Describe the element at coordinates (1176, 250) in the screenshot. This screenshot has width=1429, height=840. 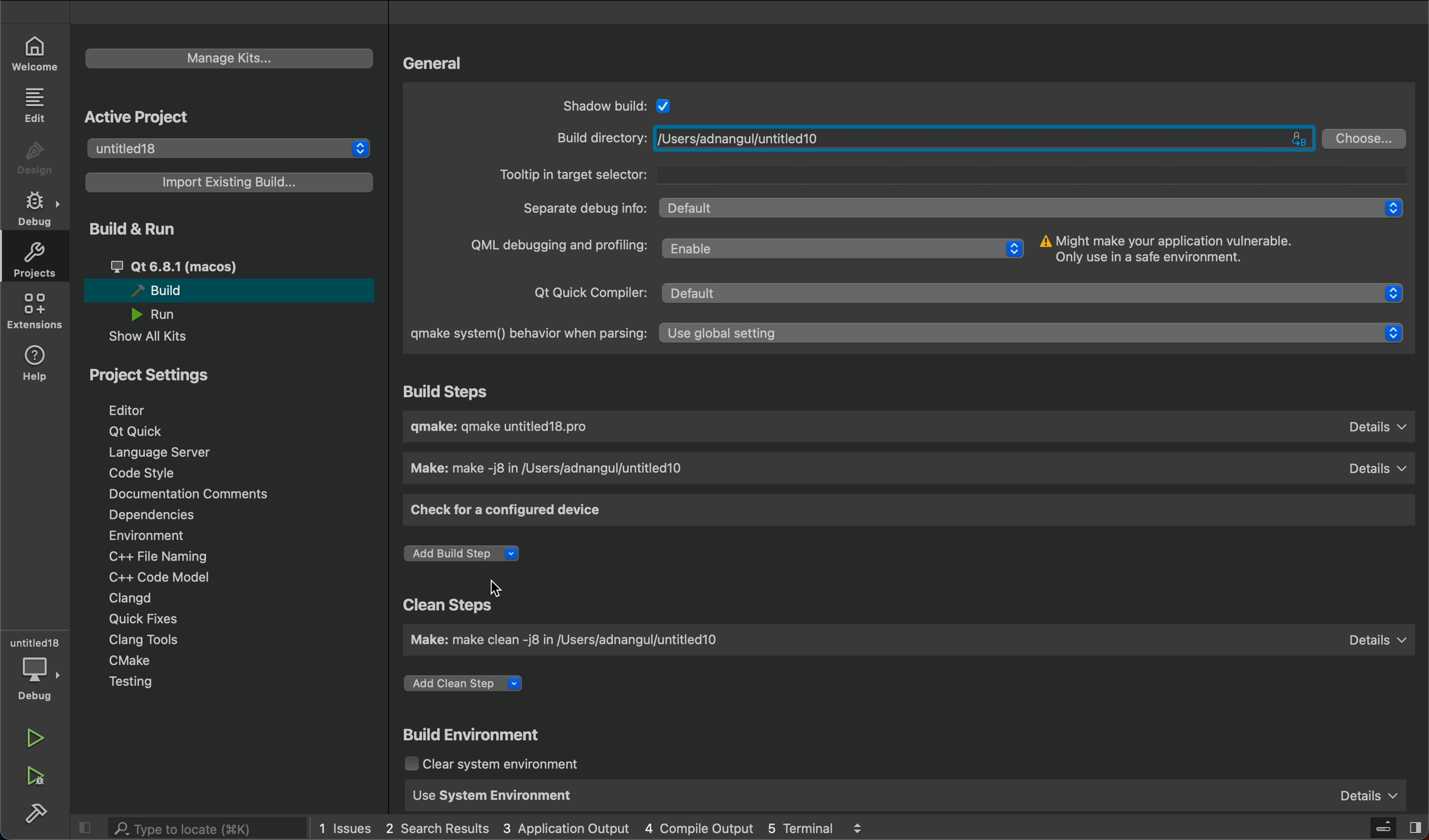
I see `Might make your application vulnerable.
Only use in a safe environment.` at that location.